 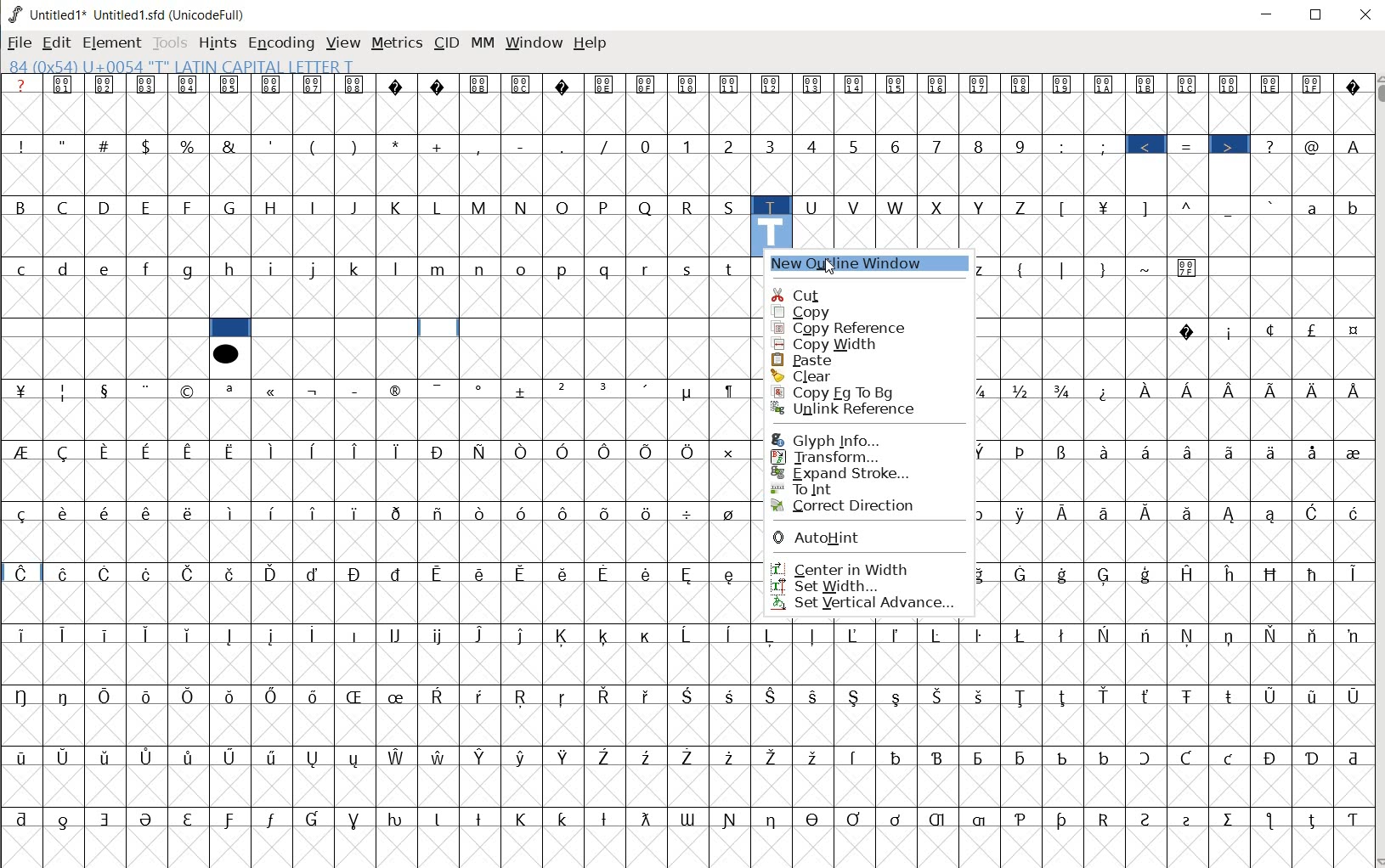 What do you see at coordinates (856, 695) in the screenshot?
I see `Symbol` at bounding box center [856, 695].